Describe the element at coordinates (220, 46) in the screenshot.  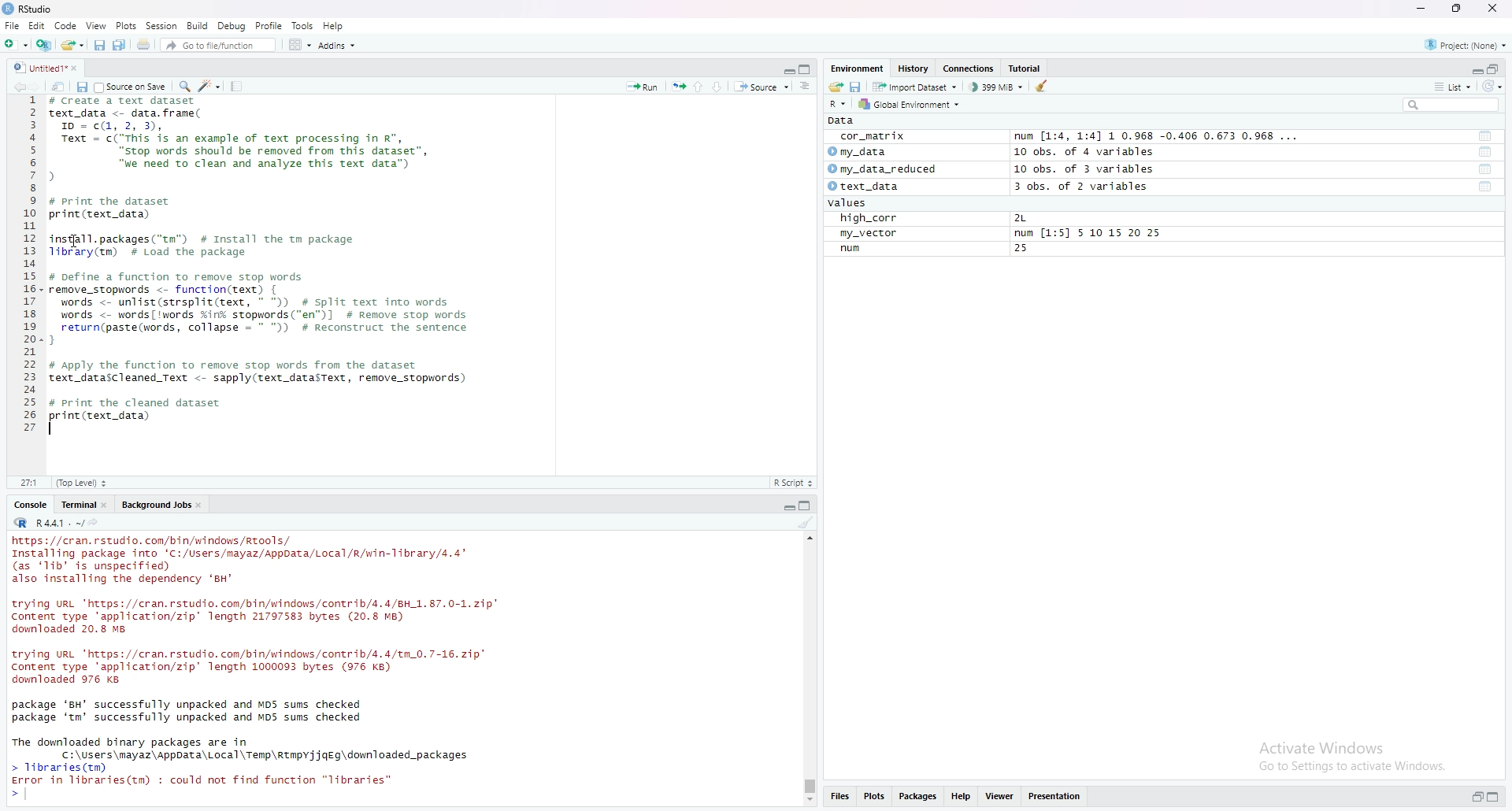
I see `go to file/function` at that location.